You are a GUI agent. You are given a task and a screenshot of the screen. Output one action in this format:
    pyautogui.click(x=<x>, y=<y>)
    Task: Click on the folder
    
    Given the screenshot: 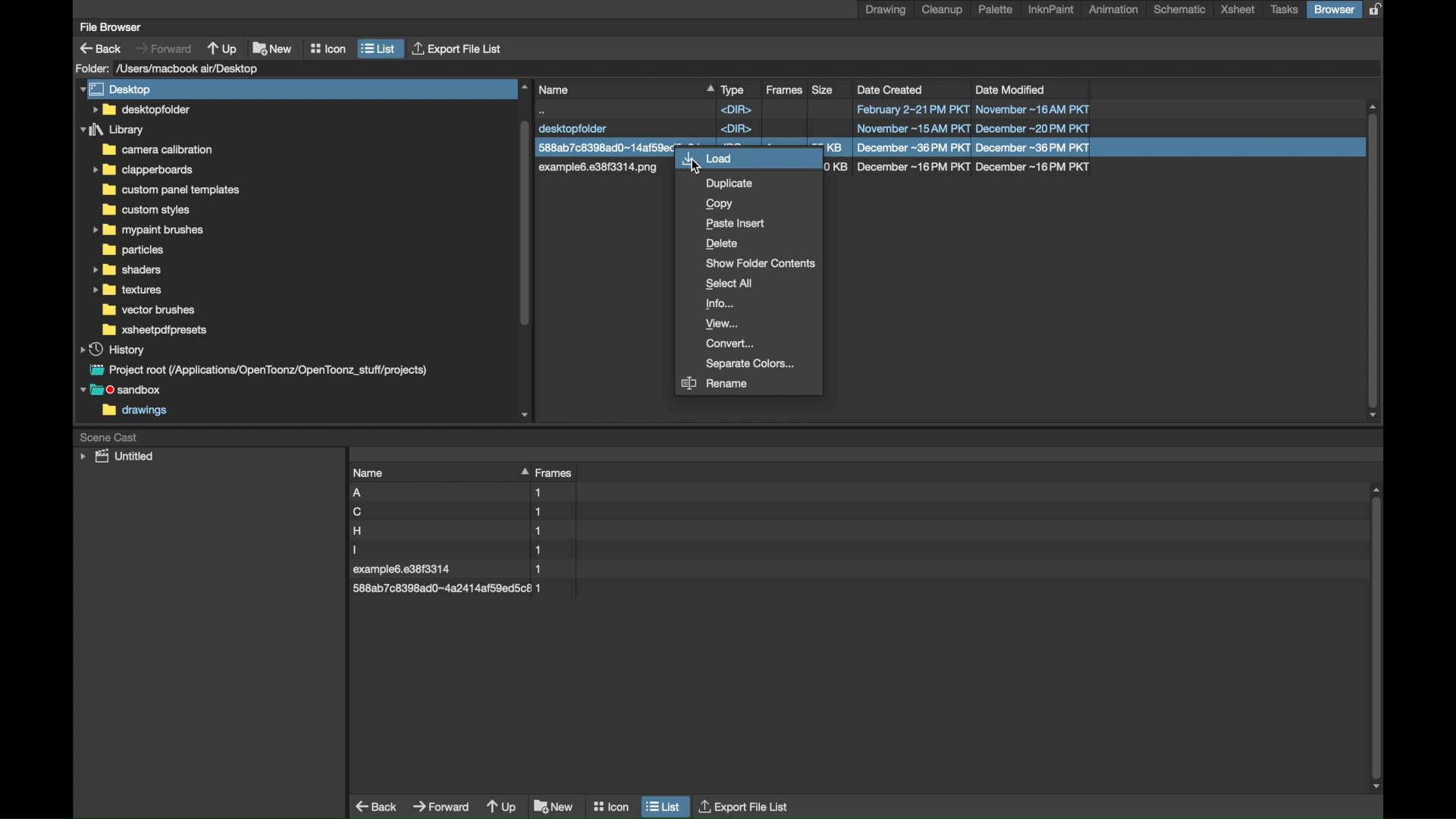 What is the action you would take?
    pyautogui.click(x=128, y=290)
    